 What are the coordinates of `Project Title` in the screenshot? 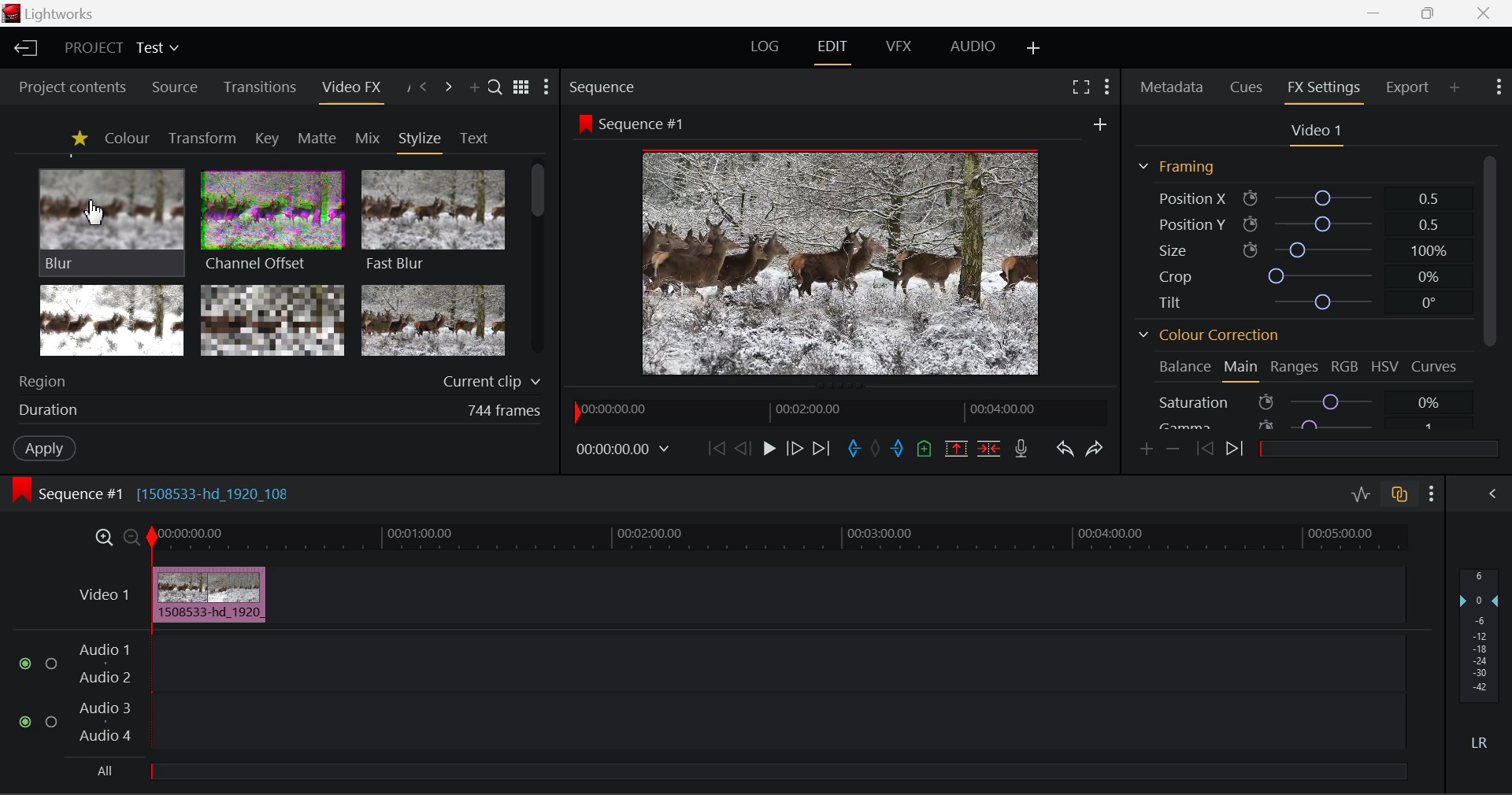 It's located at (120, 50).